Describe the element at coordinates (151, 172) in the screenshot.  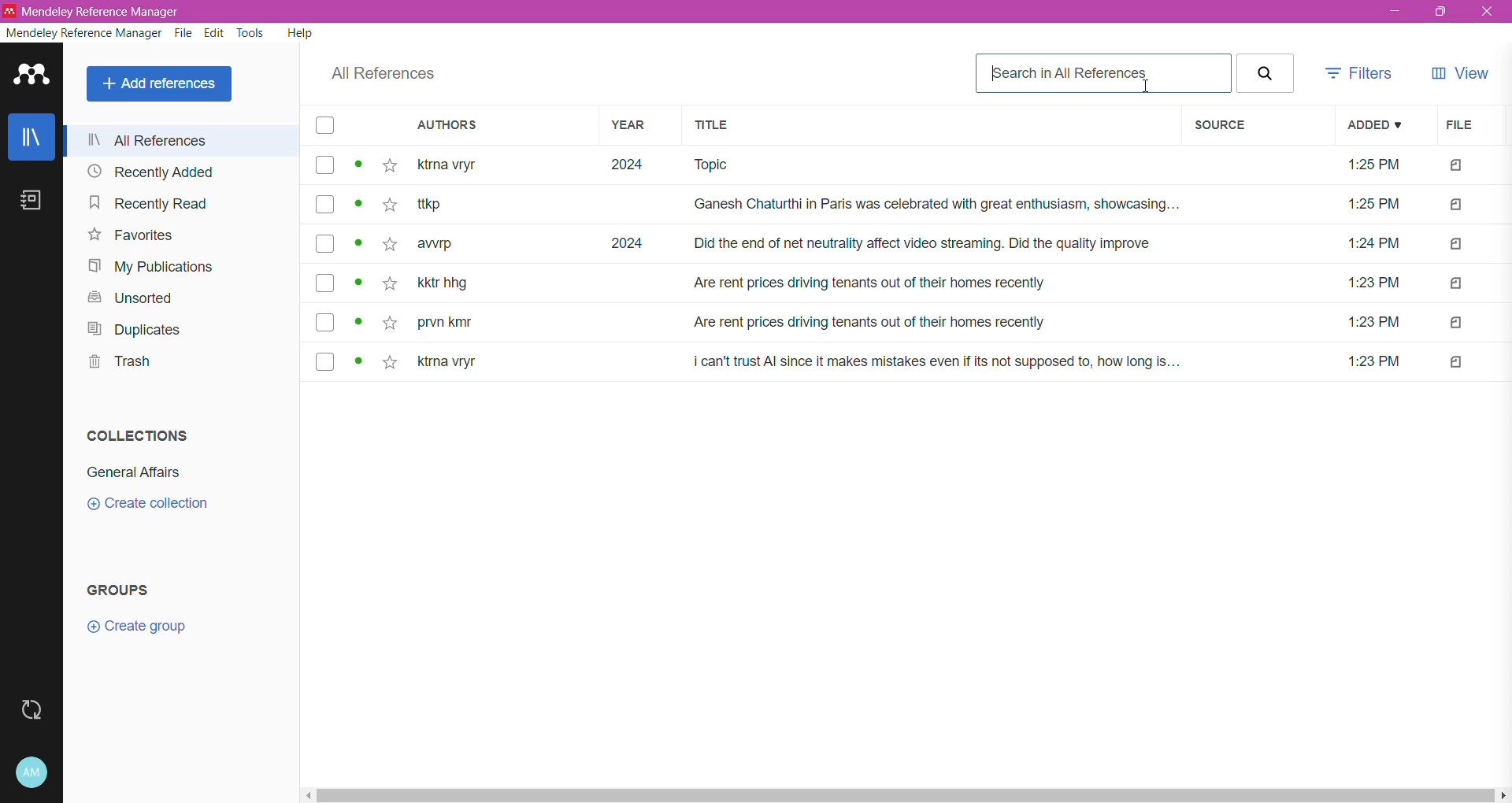
I see `Recently Added` at that location.